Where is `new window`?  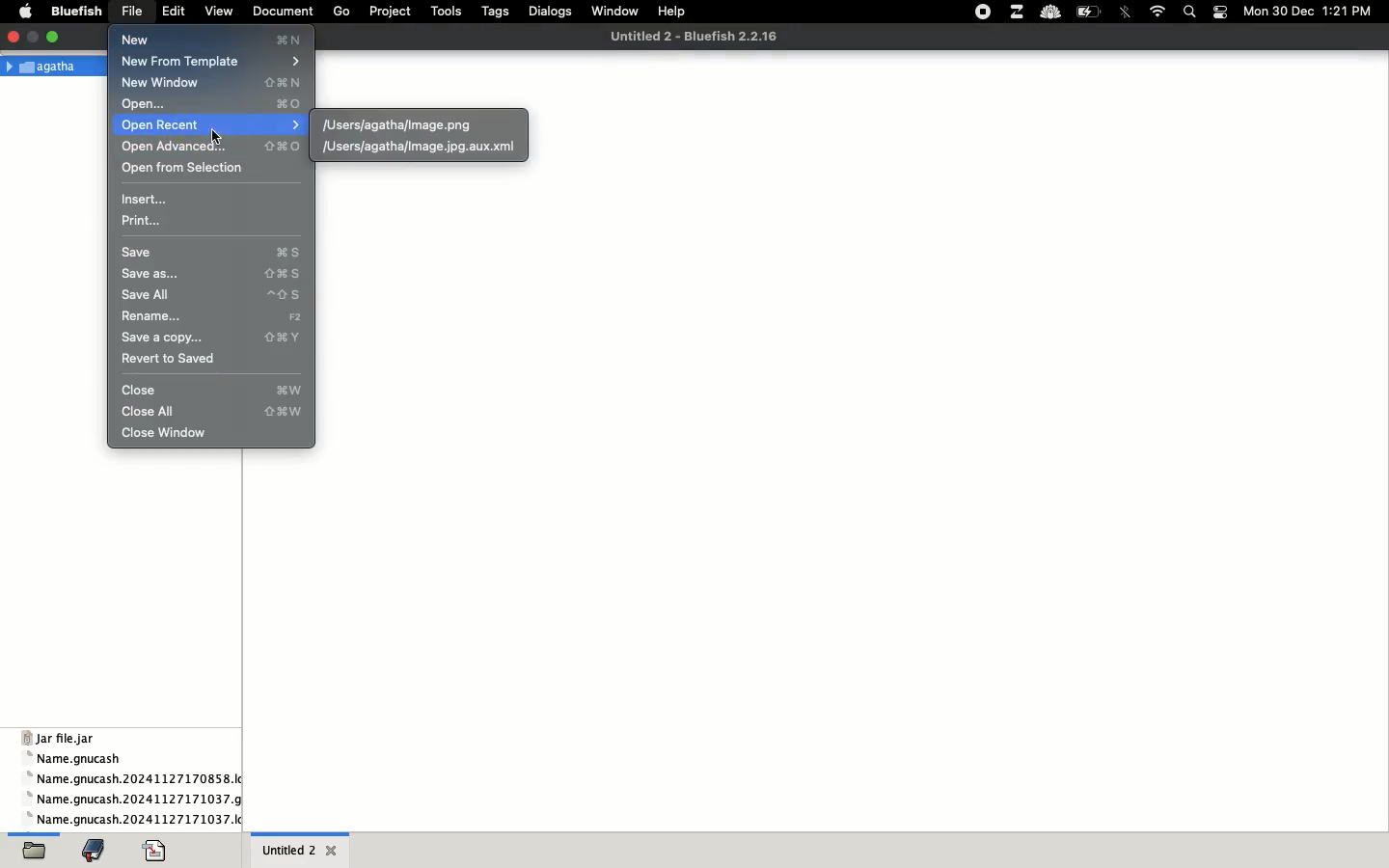 new window is located at coordinates (207, 83).